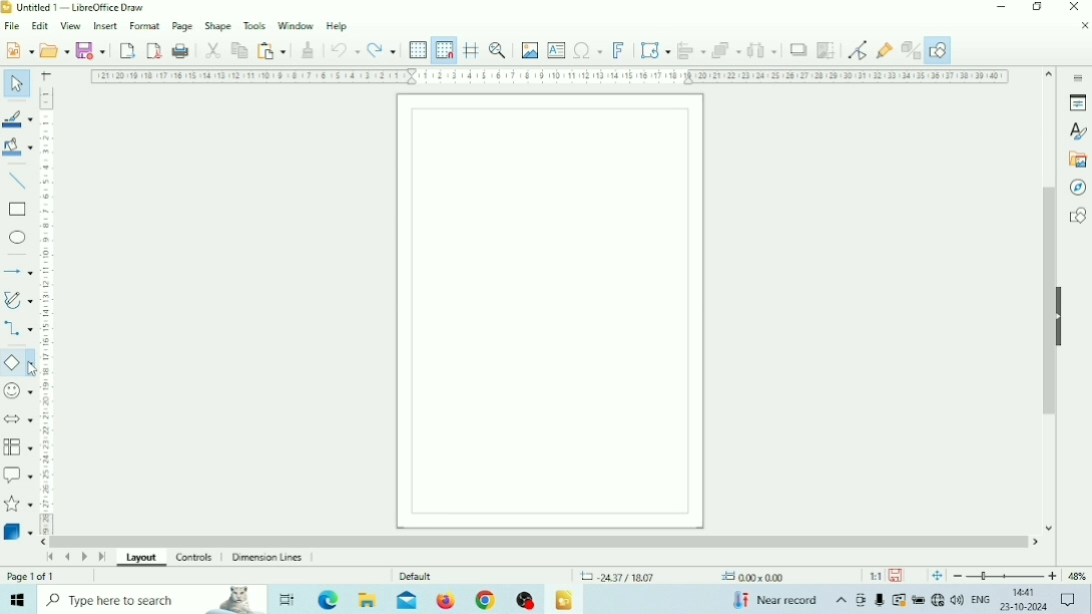  What do you see at coordinates (1076, 160) in the screenshot?
I see `Gallery` at bounding box center [1076, 160].